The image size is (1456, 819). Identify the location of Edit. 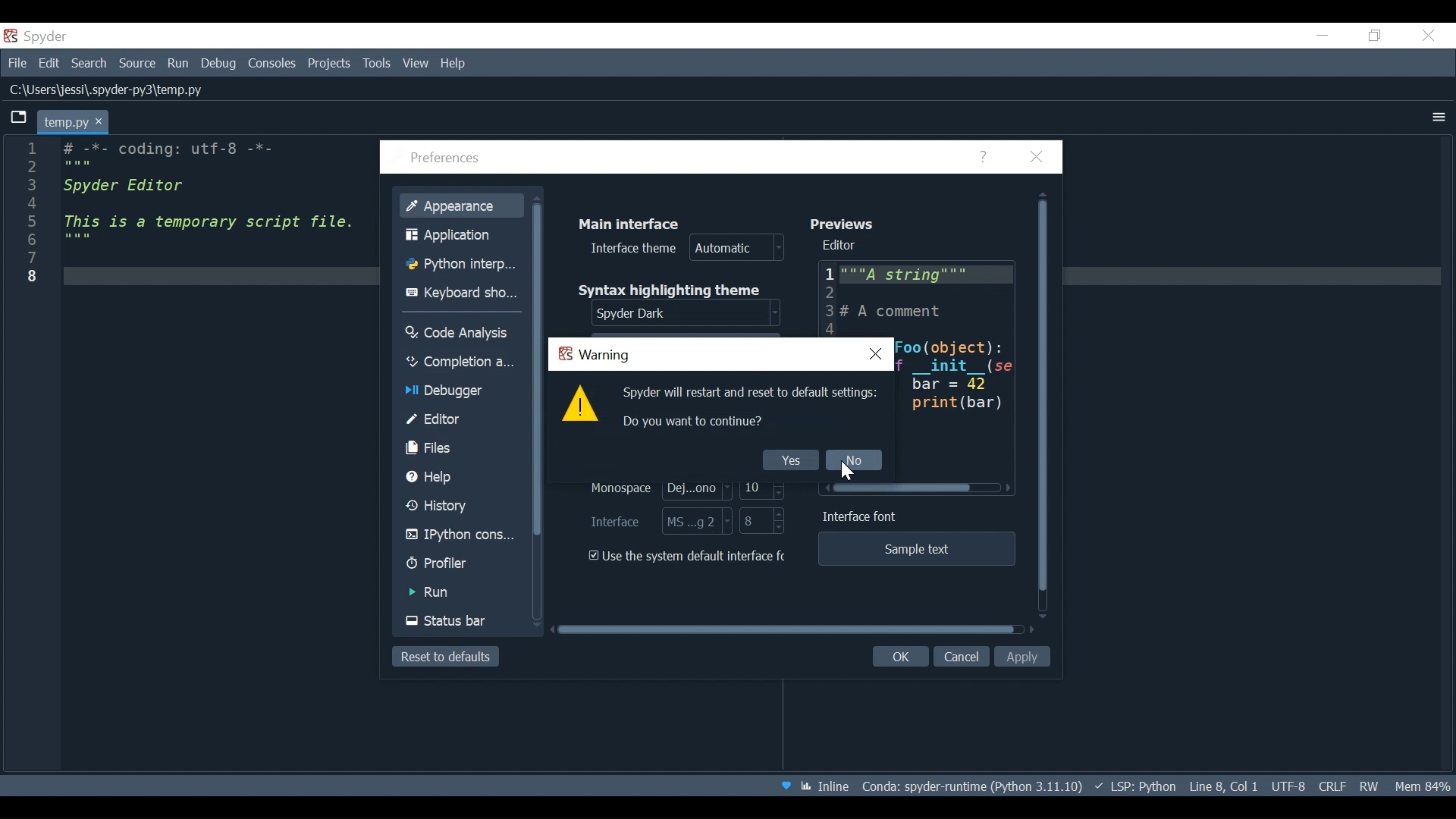
(51, 64).